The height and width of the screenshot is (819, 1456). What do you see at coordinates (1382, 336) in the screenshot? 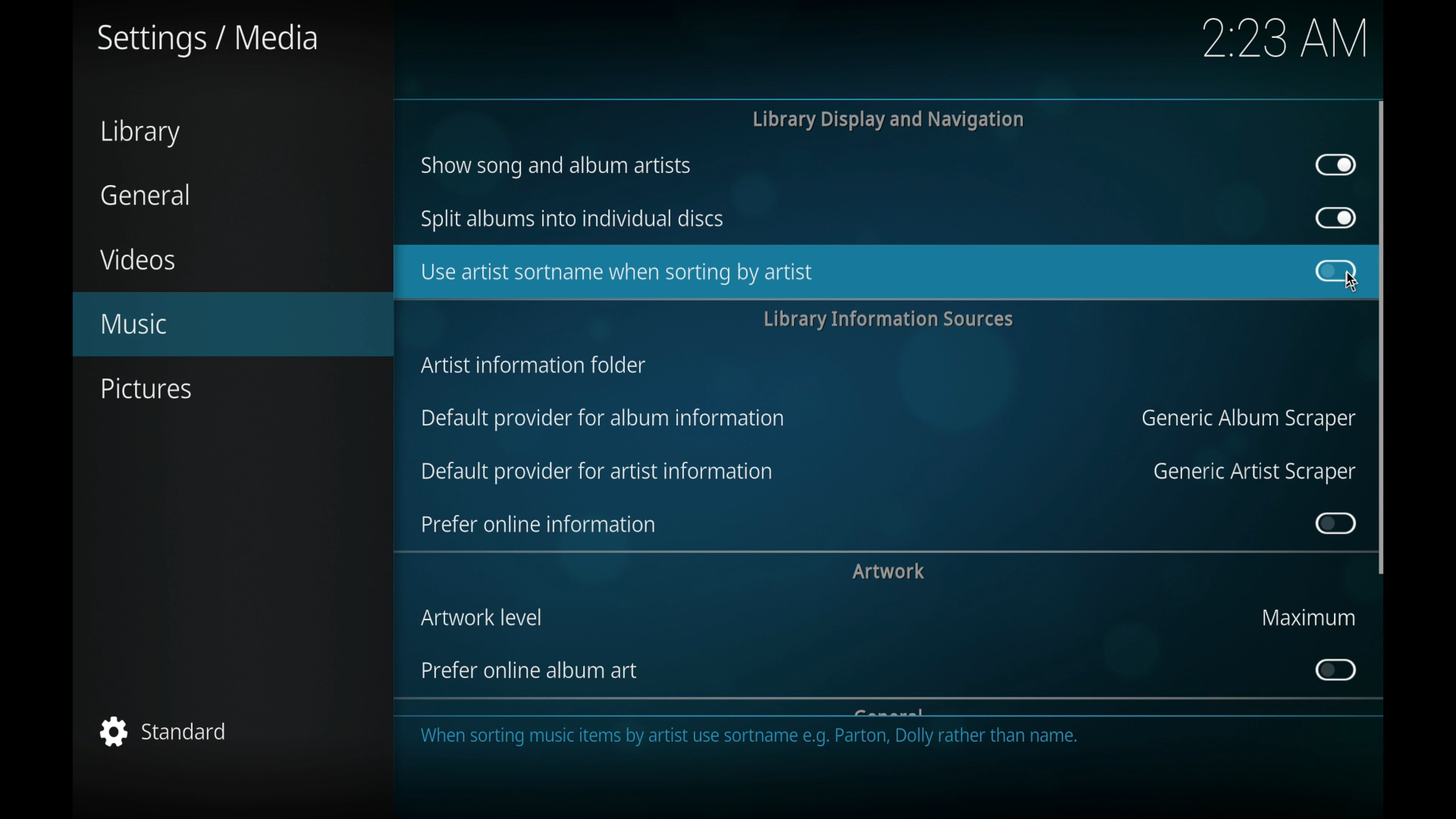
I see `scroll box` at bounding box center [1382, 336].